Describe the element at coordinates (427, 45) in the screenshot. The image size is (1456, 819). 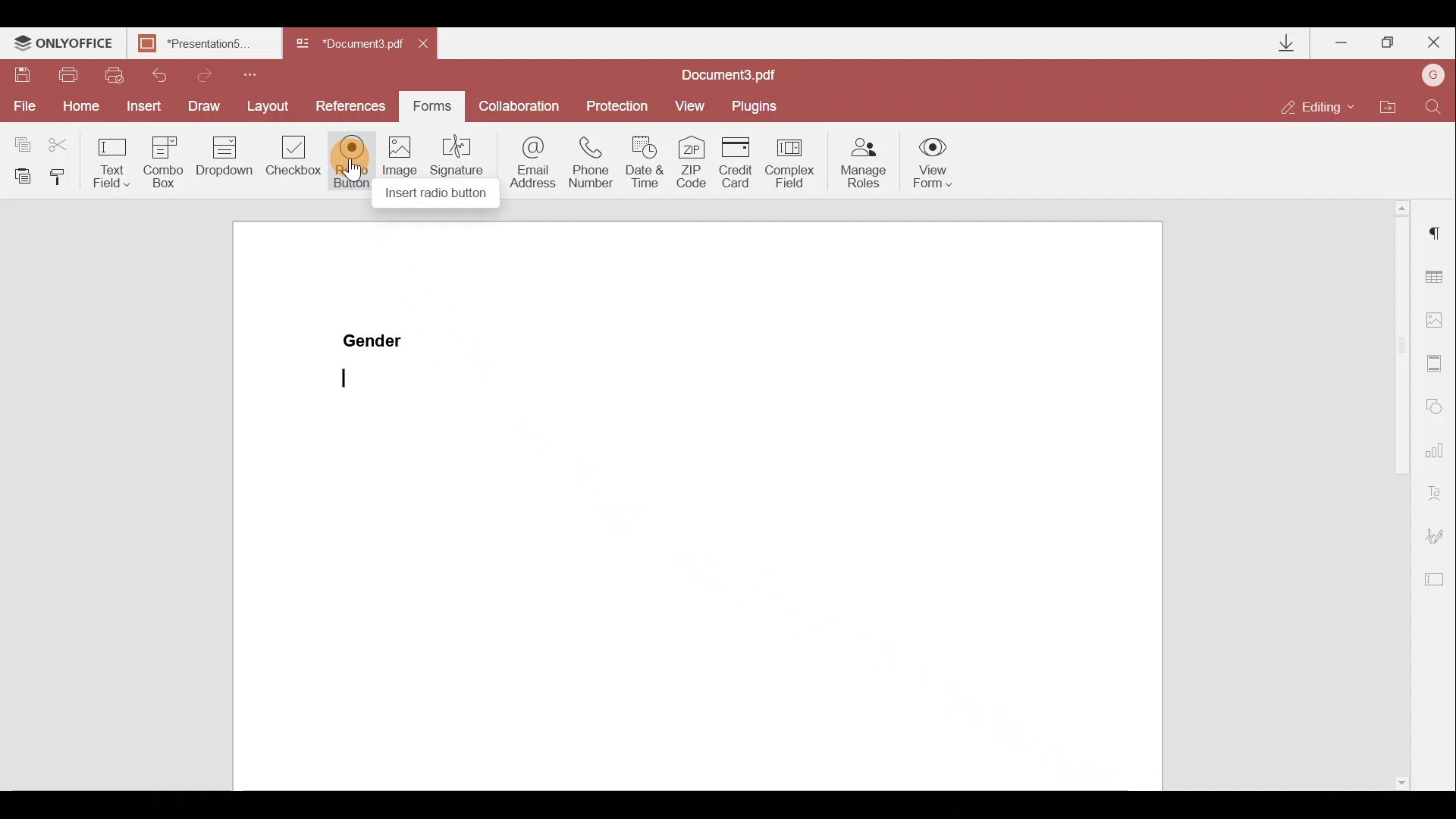
I see `Close document` at that location.